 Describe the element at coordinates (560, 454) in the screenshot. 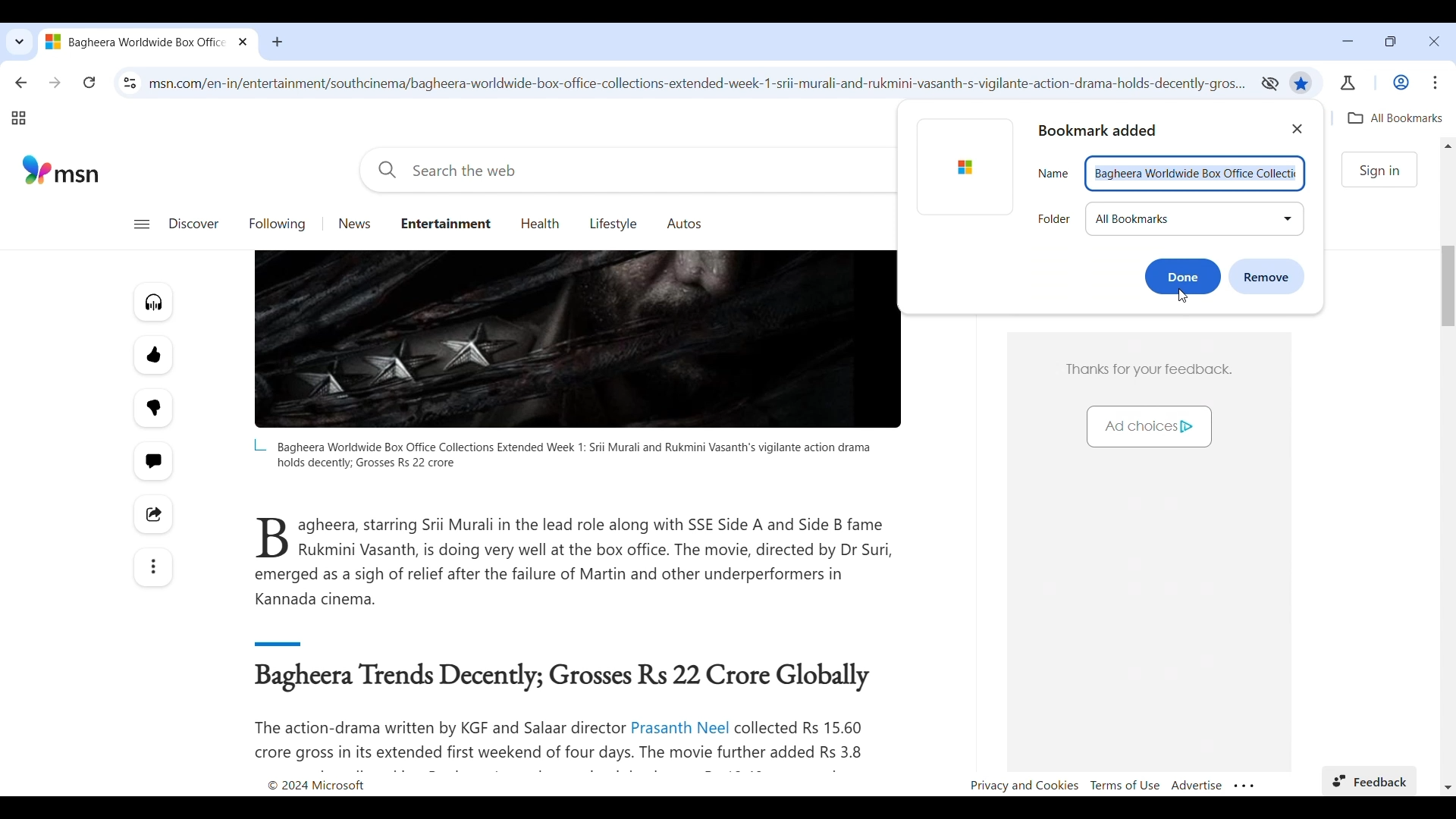

I see `Tag line of image` at that location.